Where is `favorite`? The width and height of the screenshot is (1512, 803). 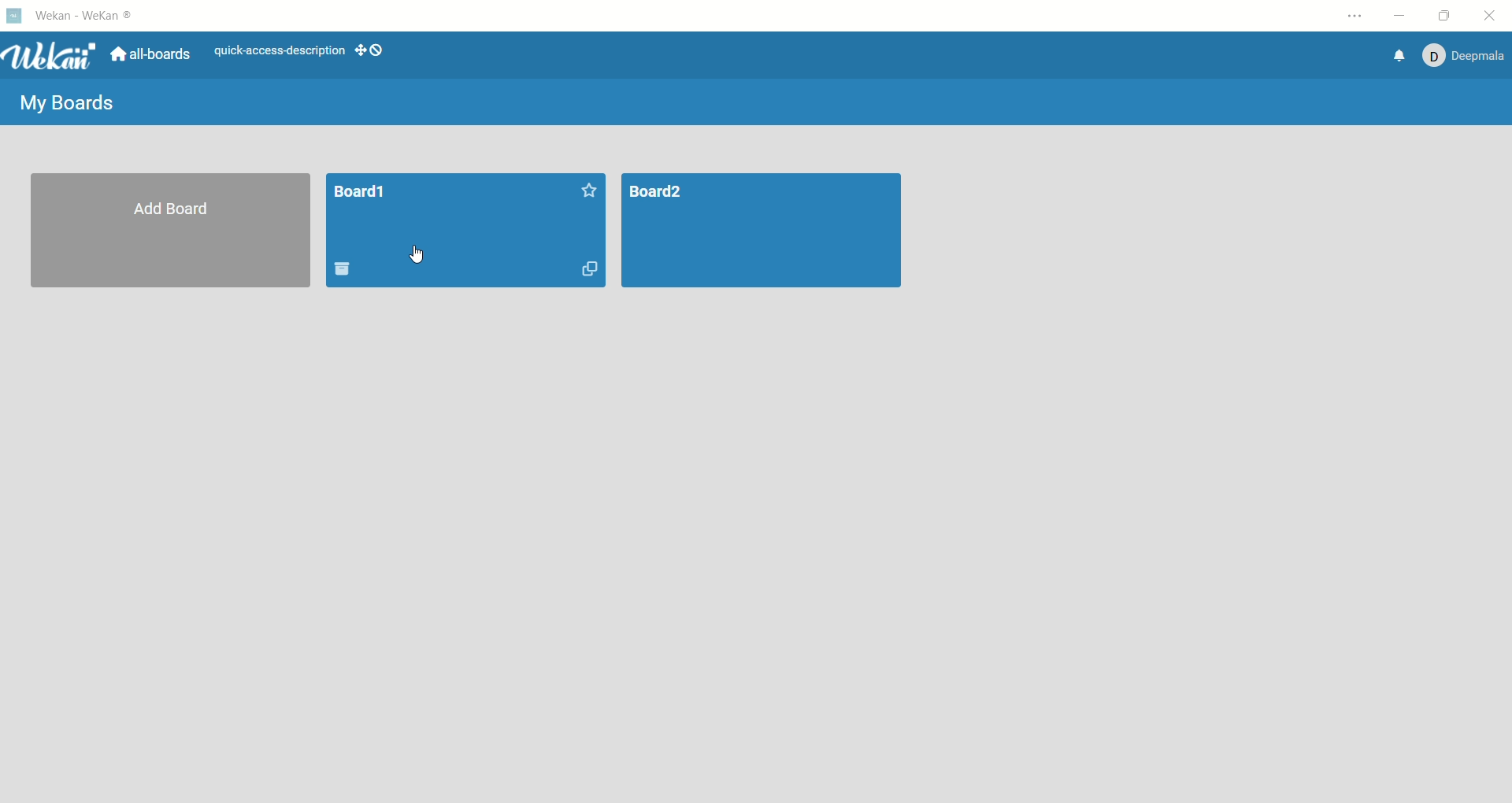 favorite is located at coordinates (585, 189).